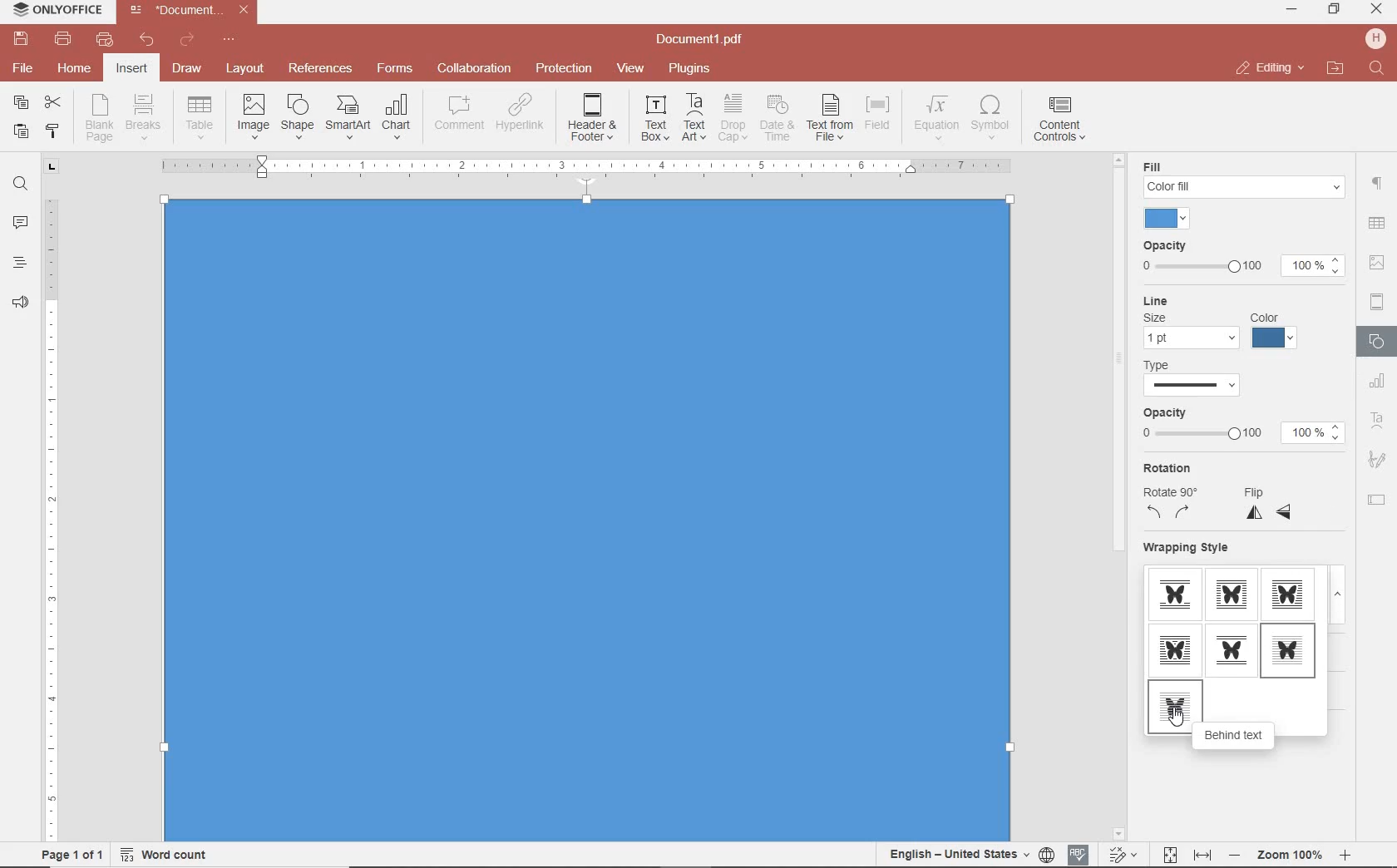 The width and height of the screenshot is (1397, 868). Describe the element at coordinates (395, 68) in the screenshot. I see `forms` at that location.